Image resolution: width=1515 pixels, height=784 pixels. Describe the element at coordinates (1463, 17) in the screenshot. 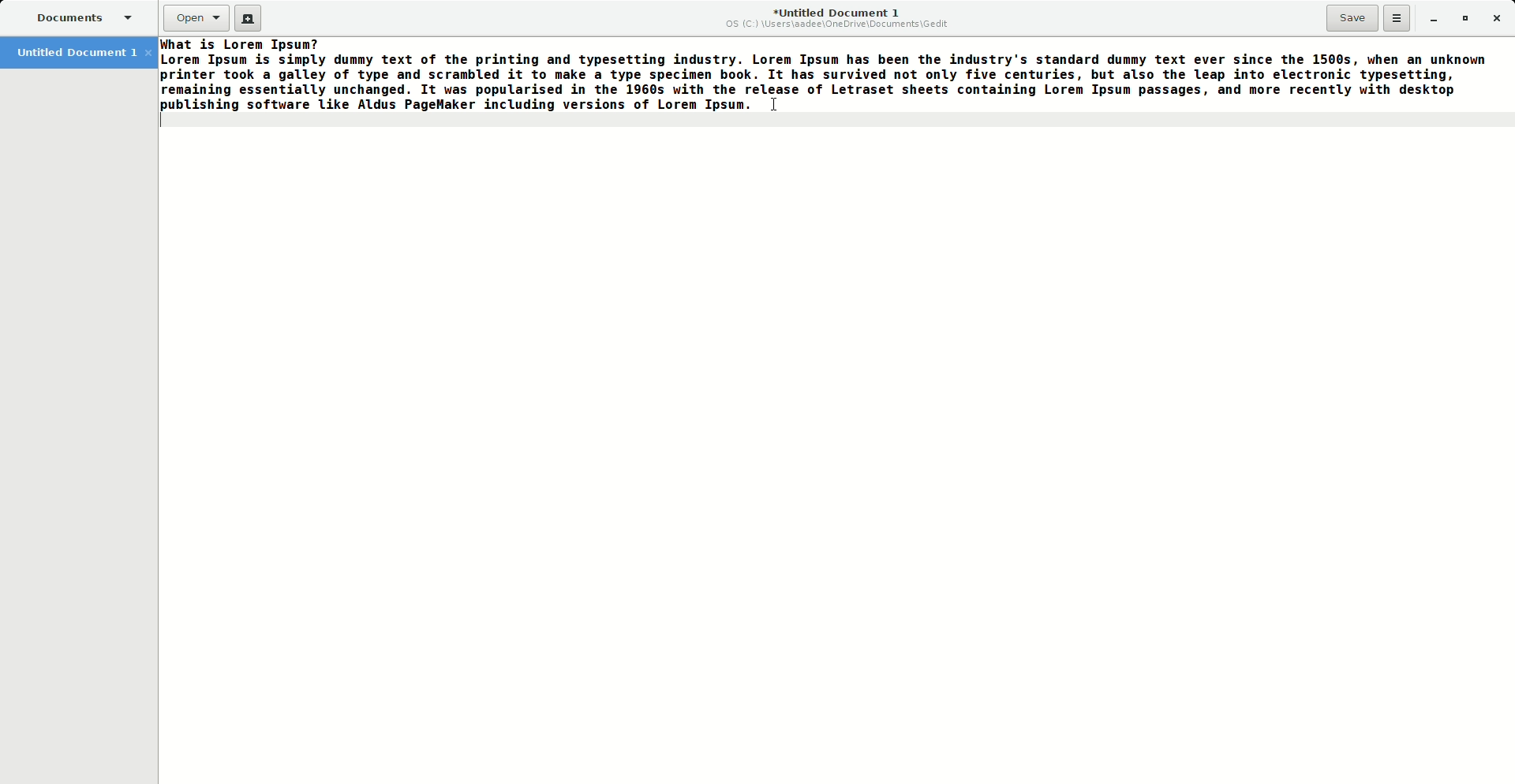

I see `Restore` at that location.